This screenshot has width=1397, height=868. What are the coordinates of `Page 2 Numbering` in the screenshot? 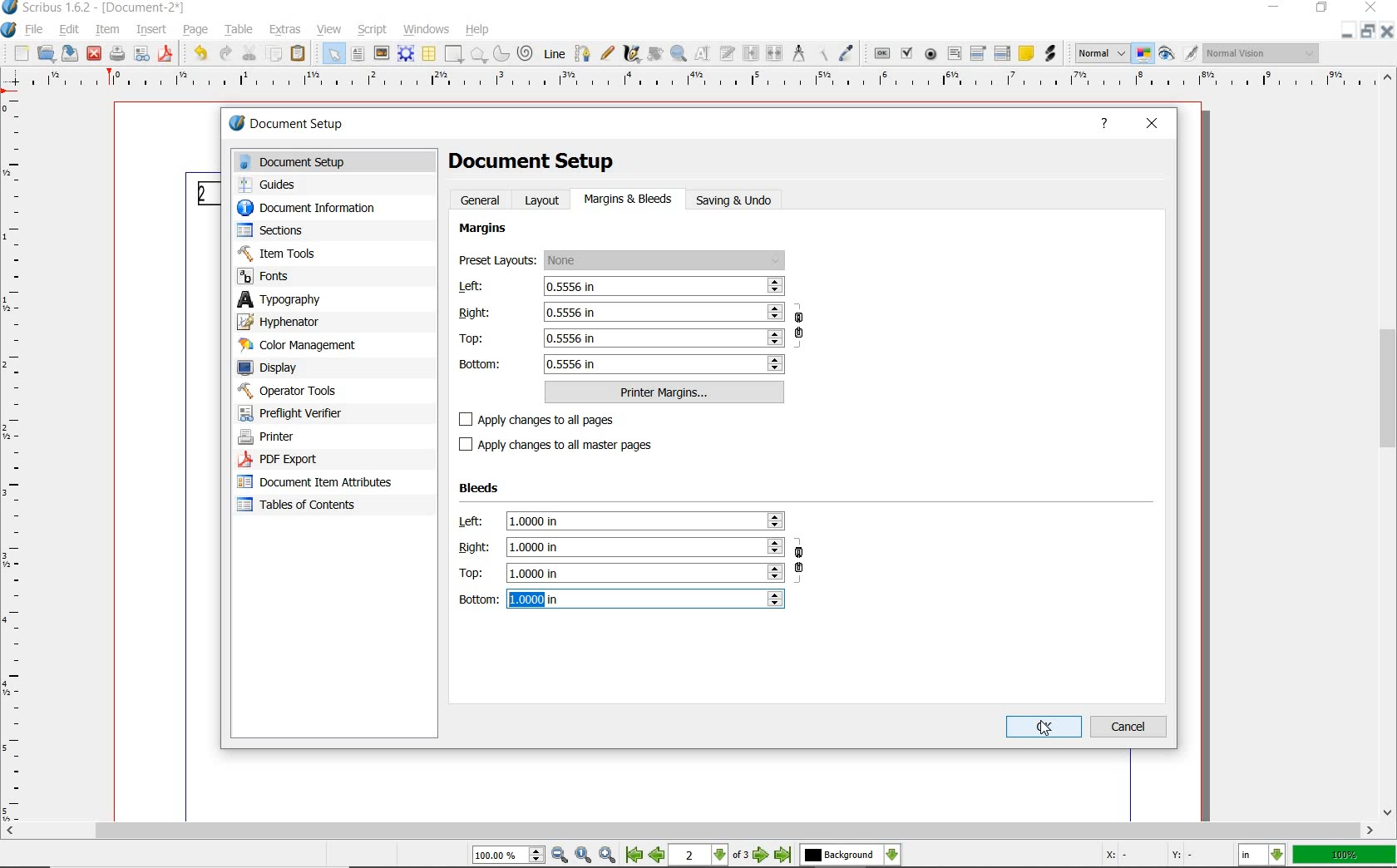 It's located at (206, 194).